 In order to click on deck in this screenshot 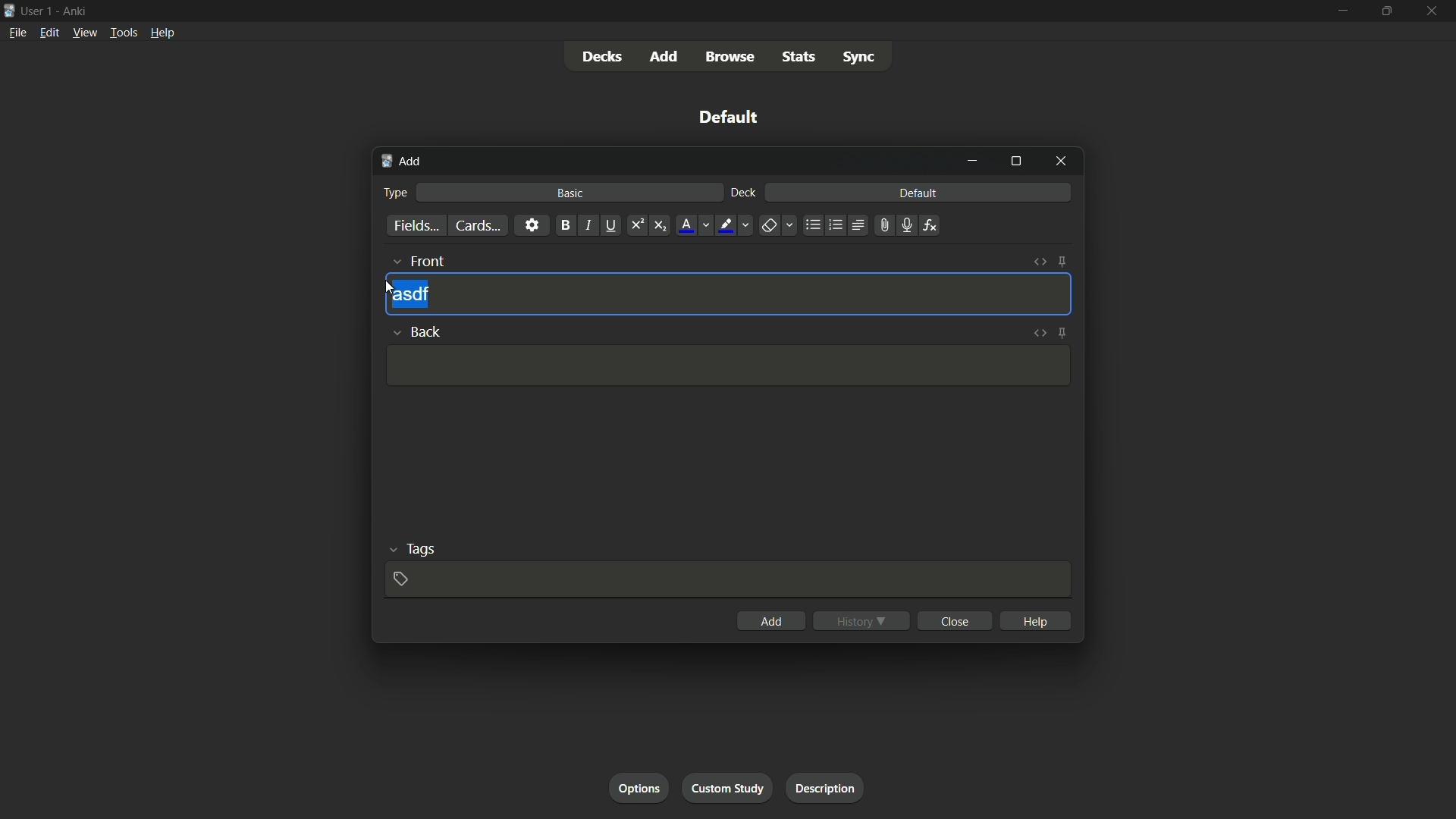, I will do `click(744, 193)`.